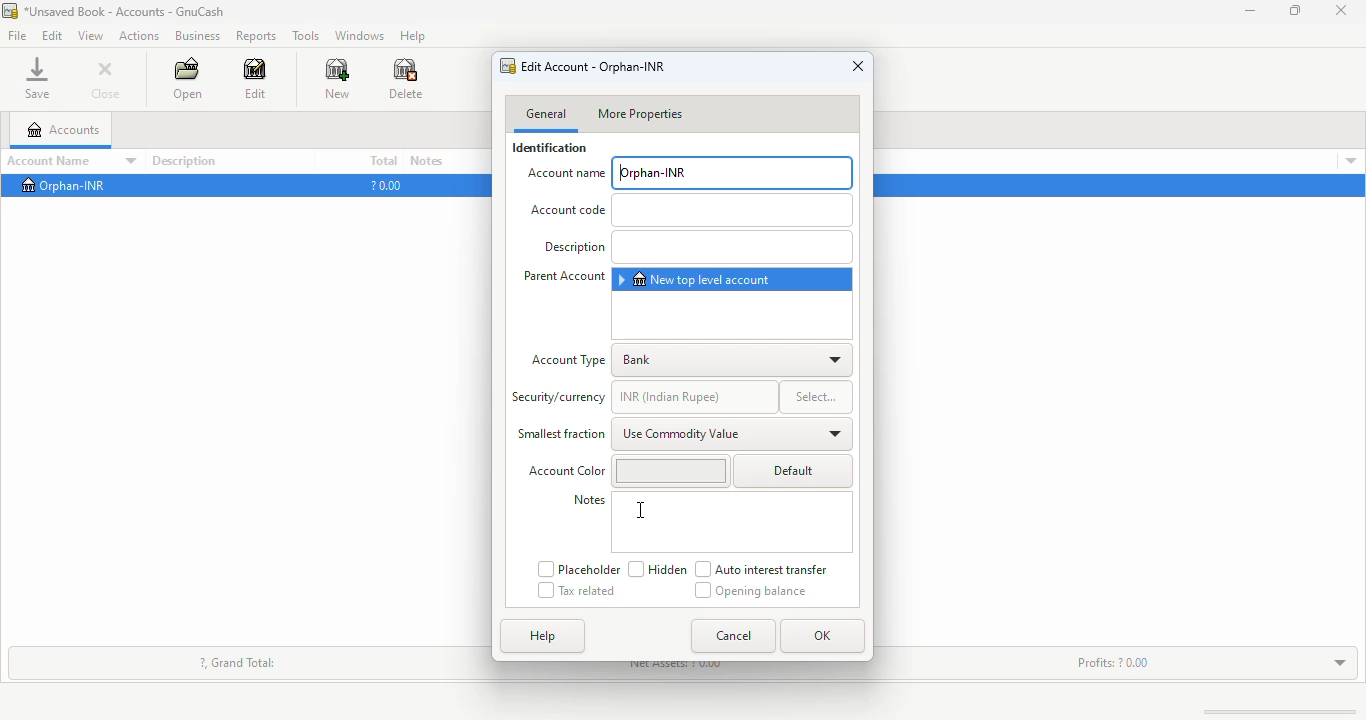 The width and height of the screenshot is (1366, 720). I want to click on reports, so click(255, 36).